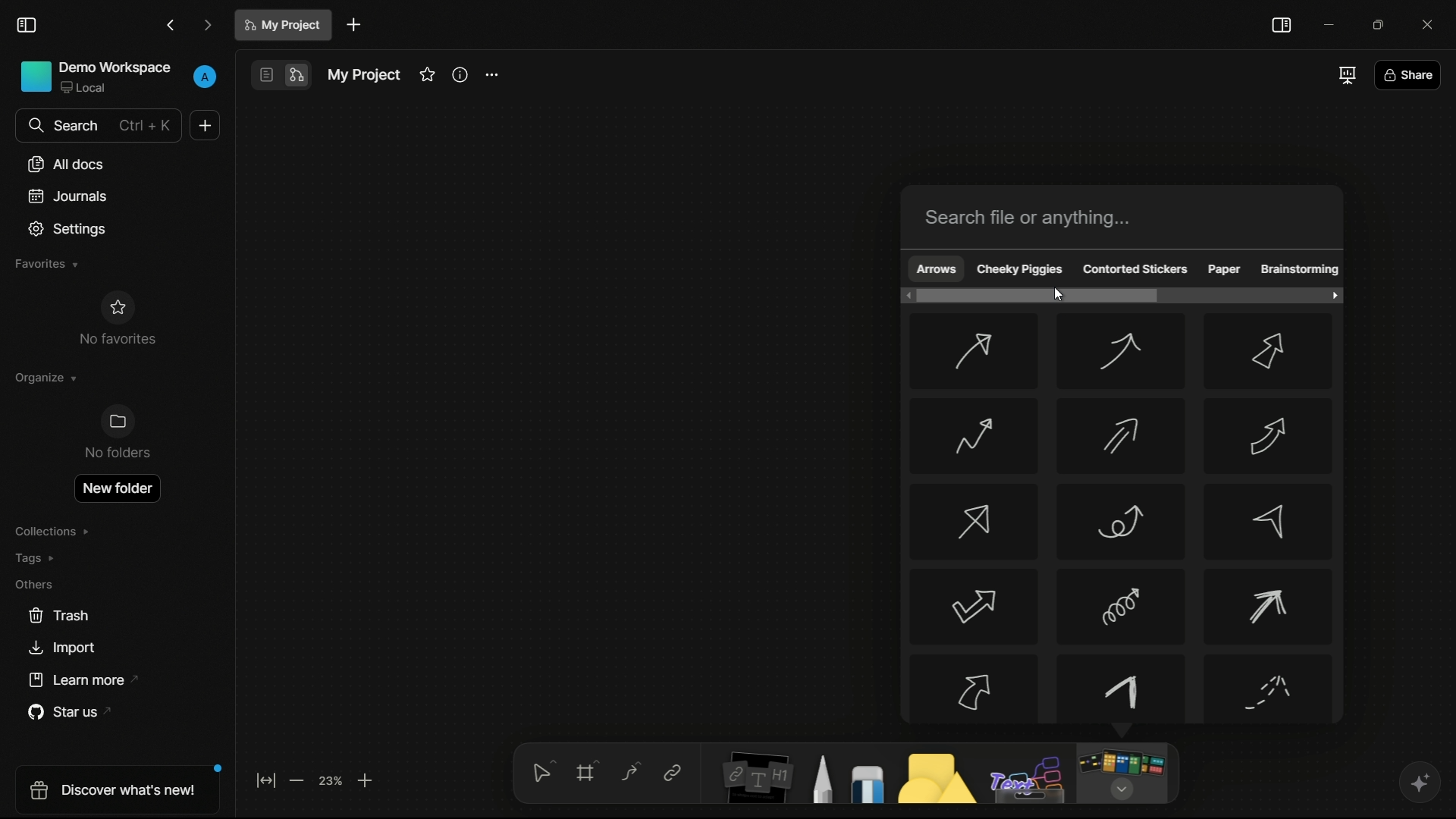  Describe the element at coordinates (1119, 522) in the screenshot. I see `arrow-8` at that location.